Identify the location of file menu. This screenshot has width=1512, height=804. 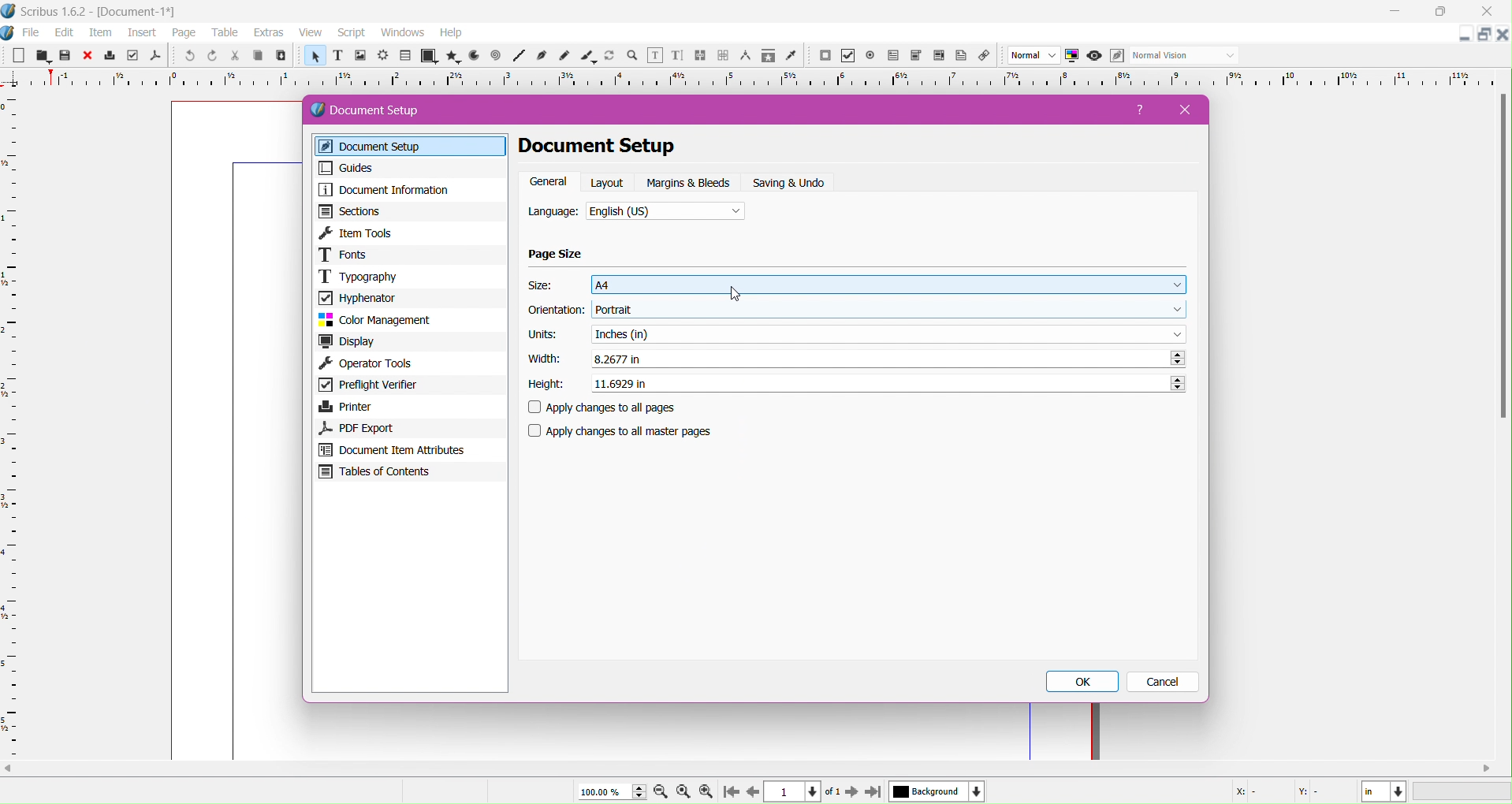
(32, 33).